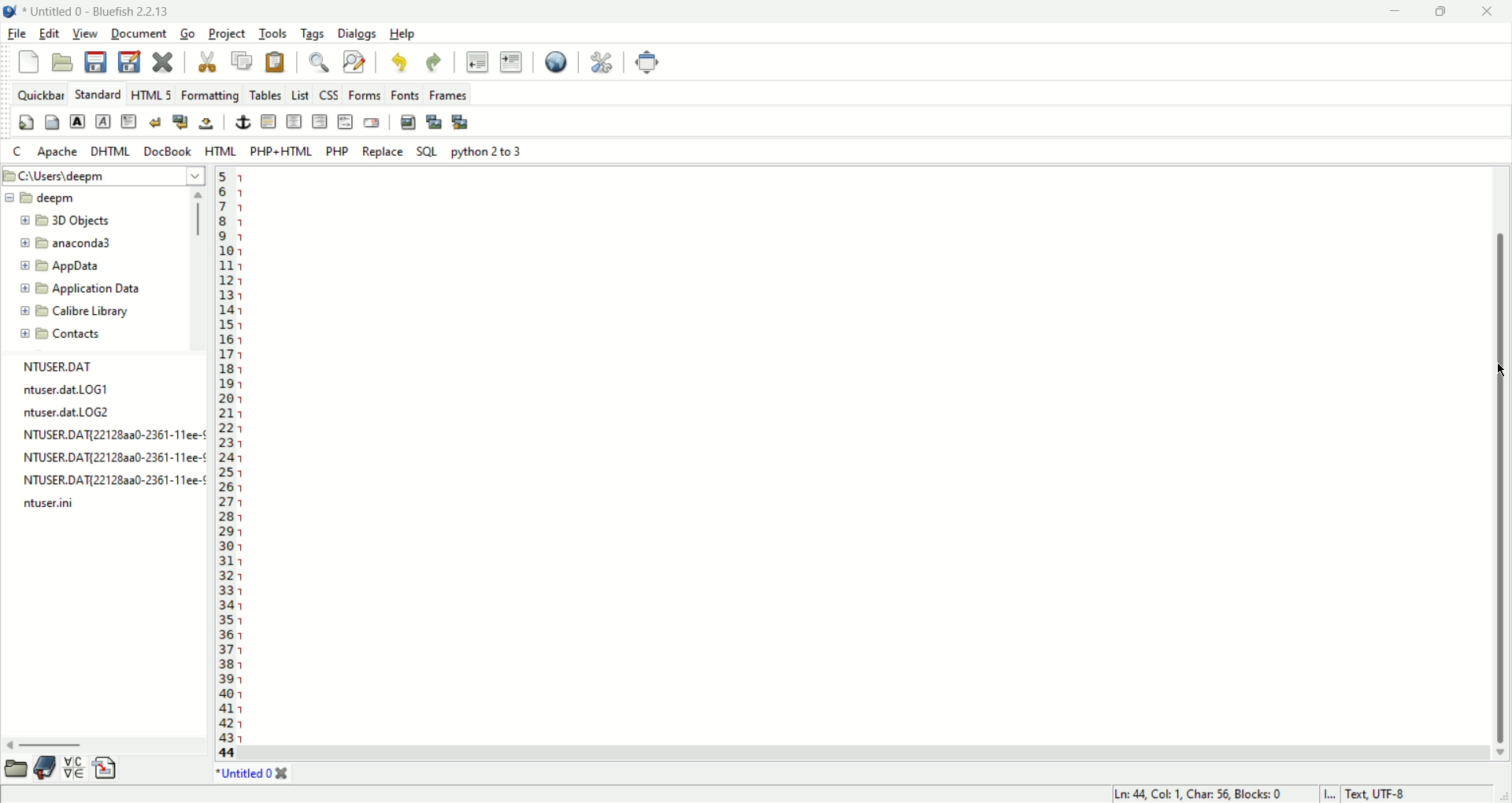 This screenshot has height=803, width=1512. What do you see at coordinates (476, 62) in the screenshot?
I see `unindent` at bounding box center [476, 62].